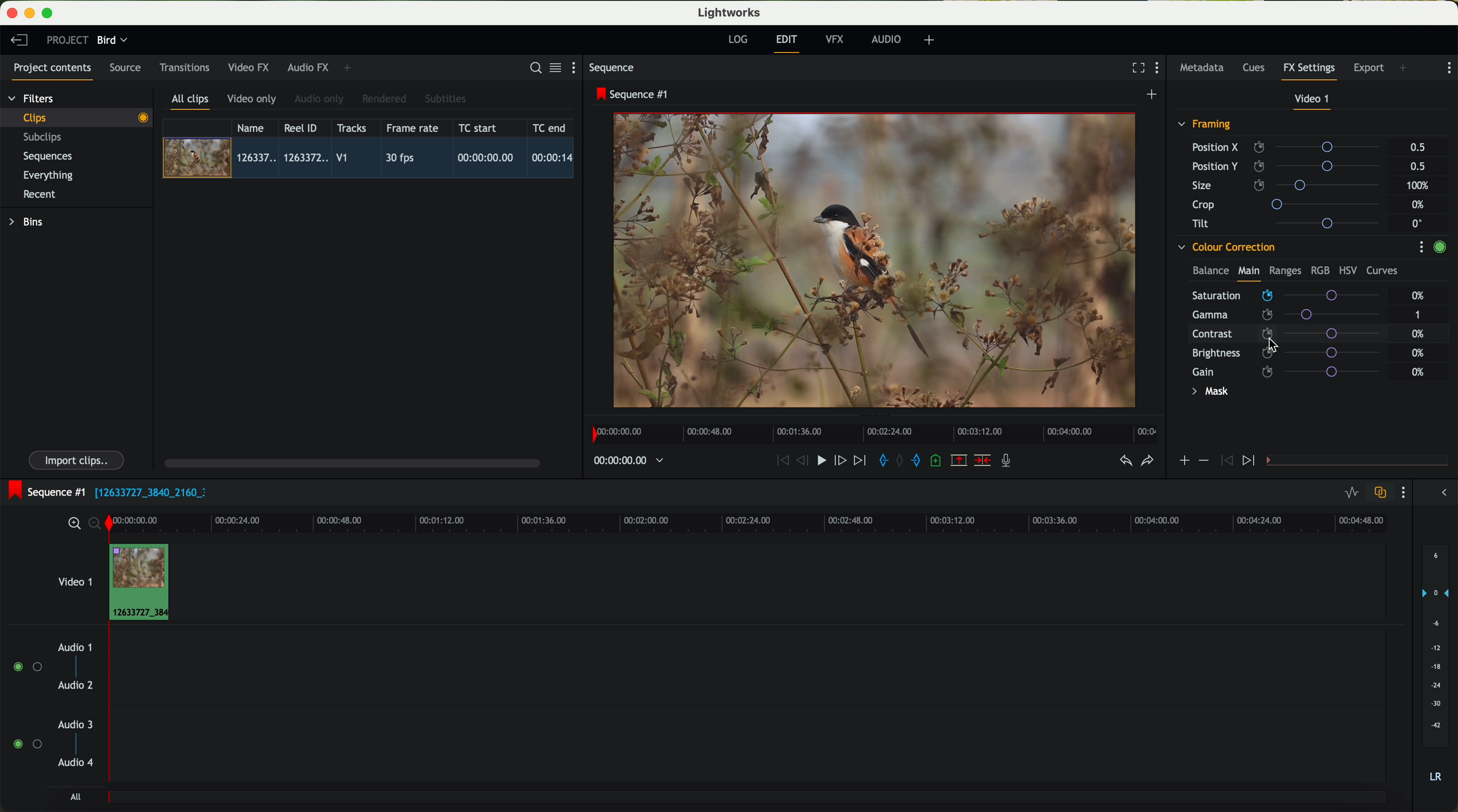  What do you see at coordinates (1418, 295) in the screenshot?
I see `0%` at bounding box center [1418, 295].